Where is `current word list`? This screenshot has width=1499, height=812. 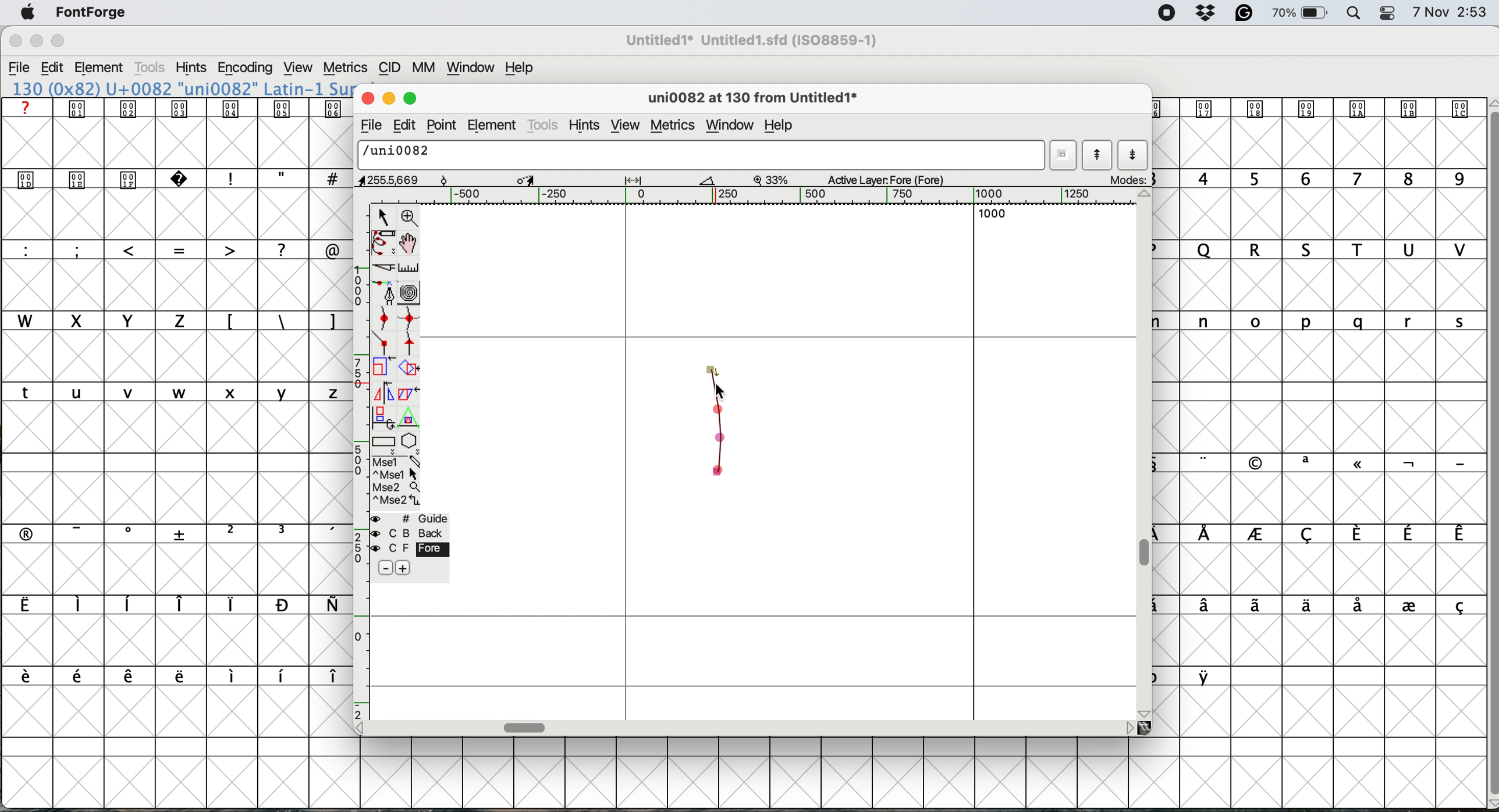
current word list is located at coordinates (1065, 155).